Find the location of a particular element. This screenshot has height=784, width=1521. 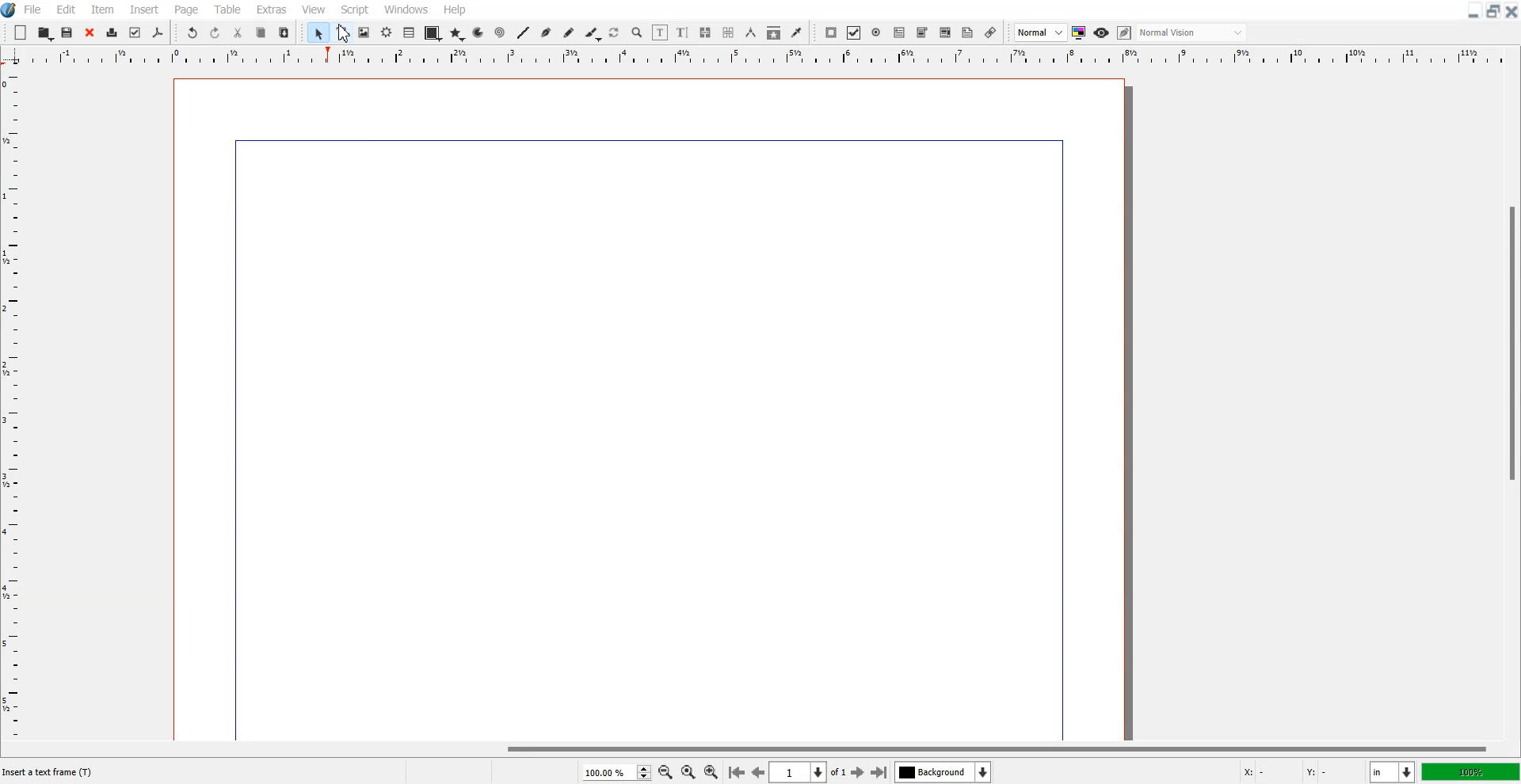

Extras is located at coordinates (272, 9).